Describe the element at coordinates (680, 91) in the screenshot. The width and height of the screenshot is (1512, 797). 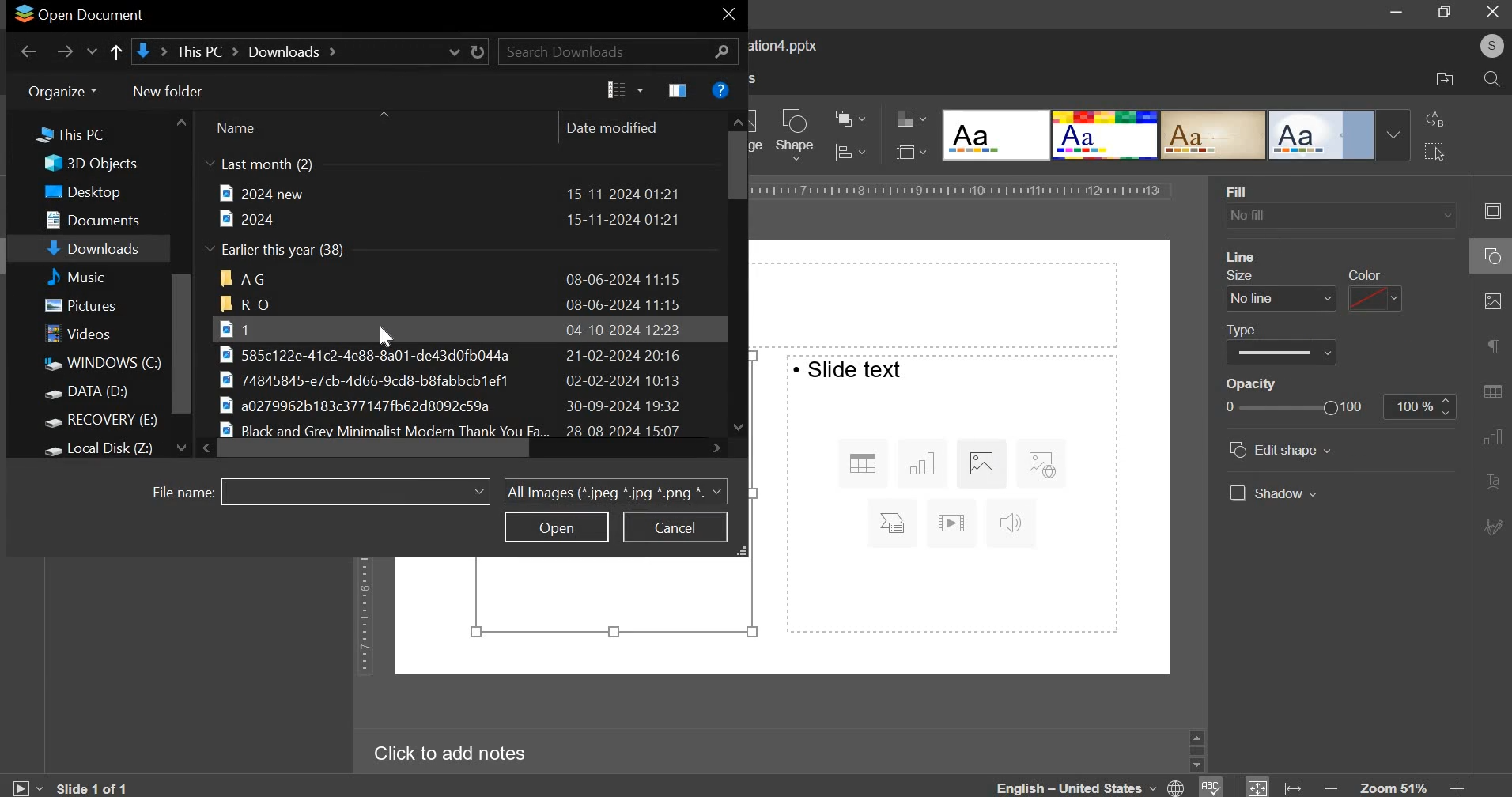
I see `show the preview pane` at that location.